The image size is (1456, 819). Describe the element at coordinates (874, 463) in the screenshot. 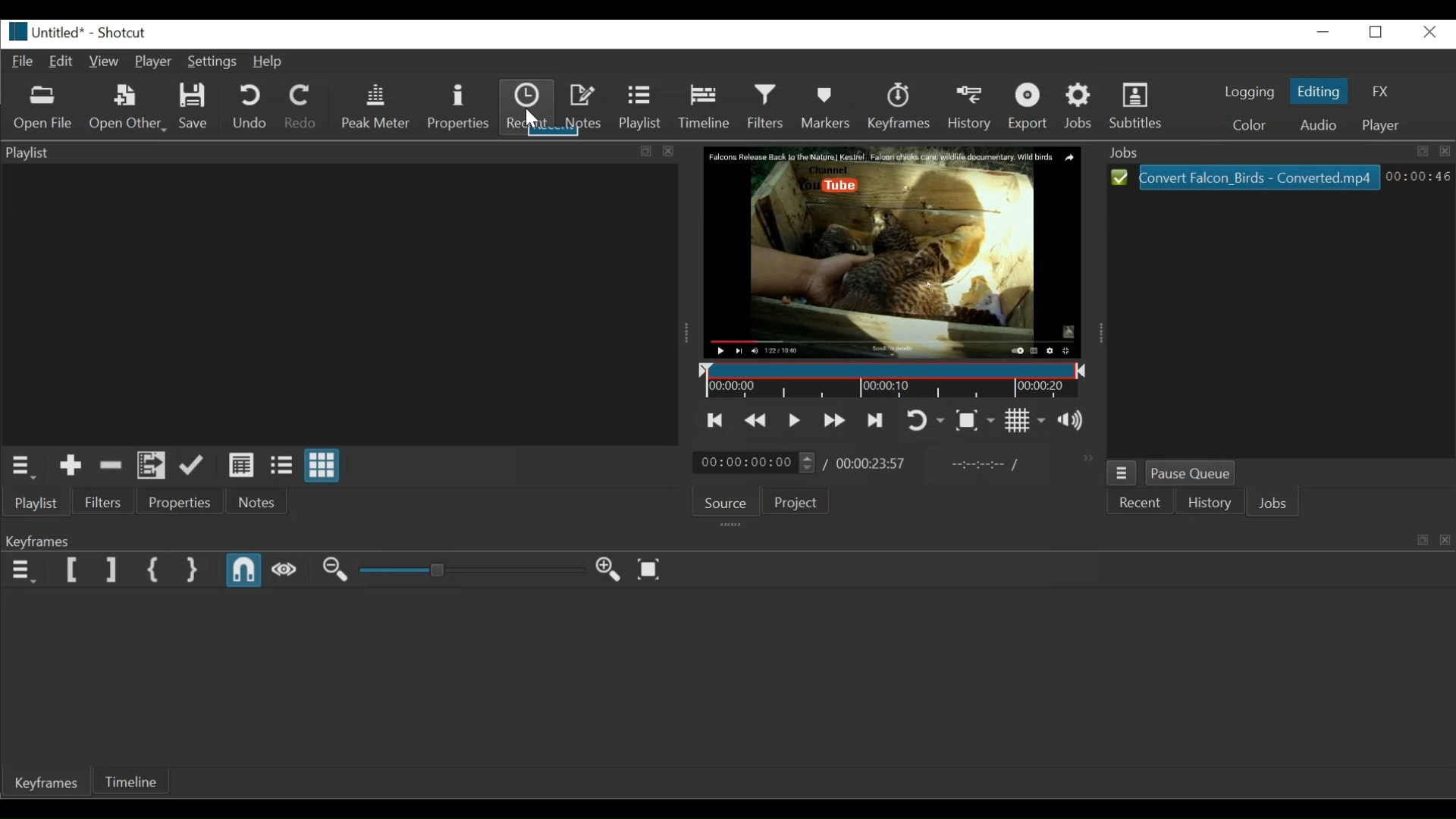

I see `Total duration` at that location.